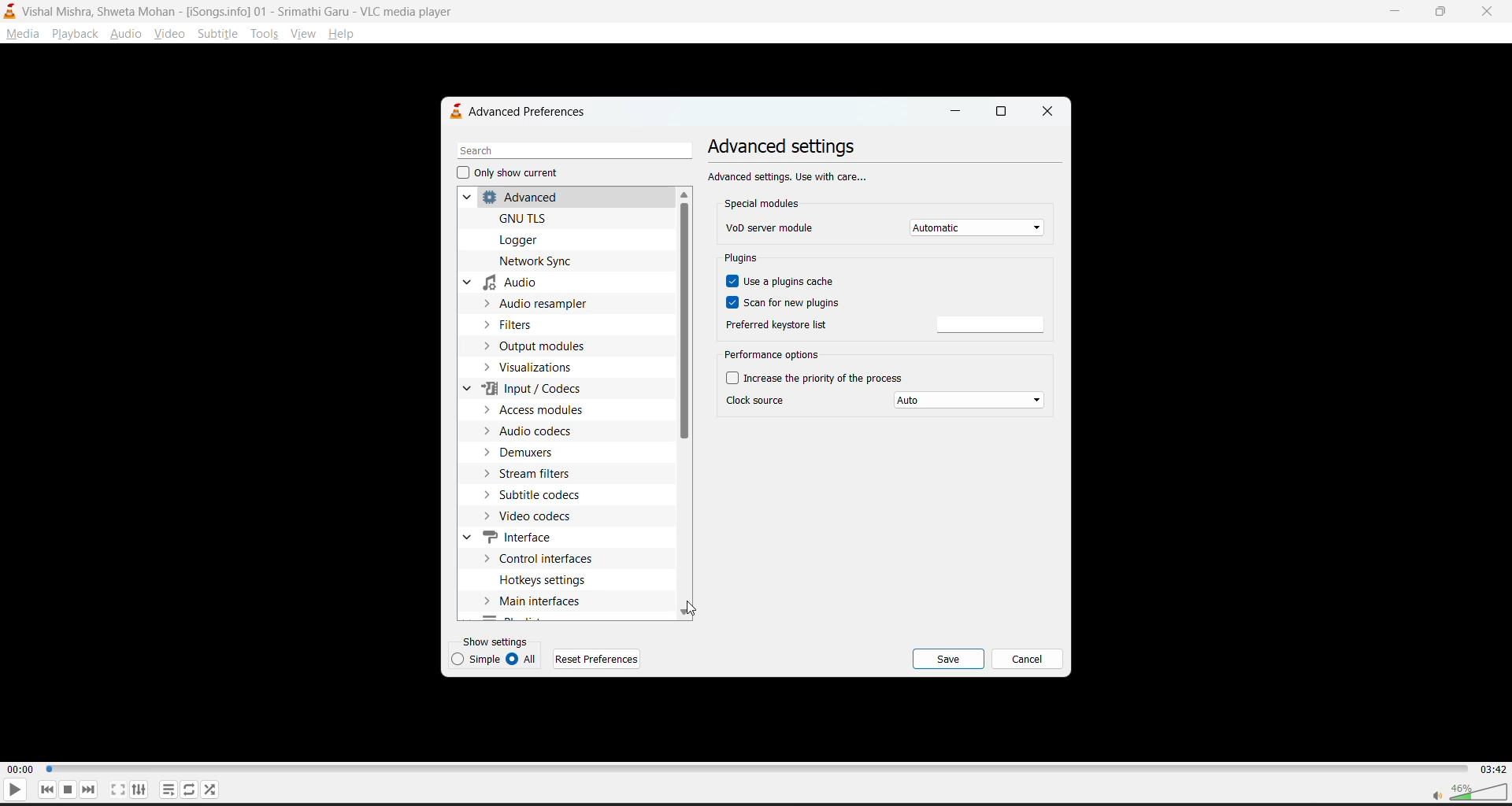  Describe the element at coordinates (1030, 659) in the screenshot. I see `cancel` at that location.